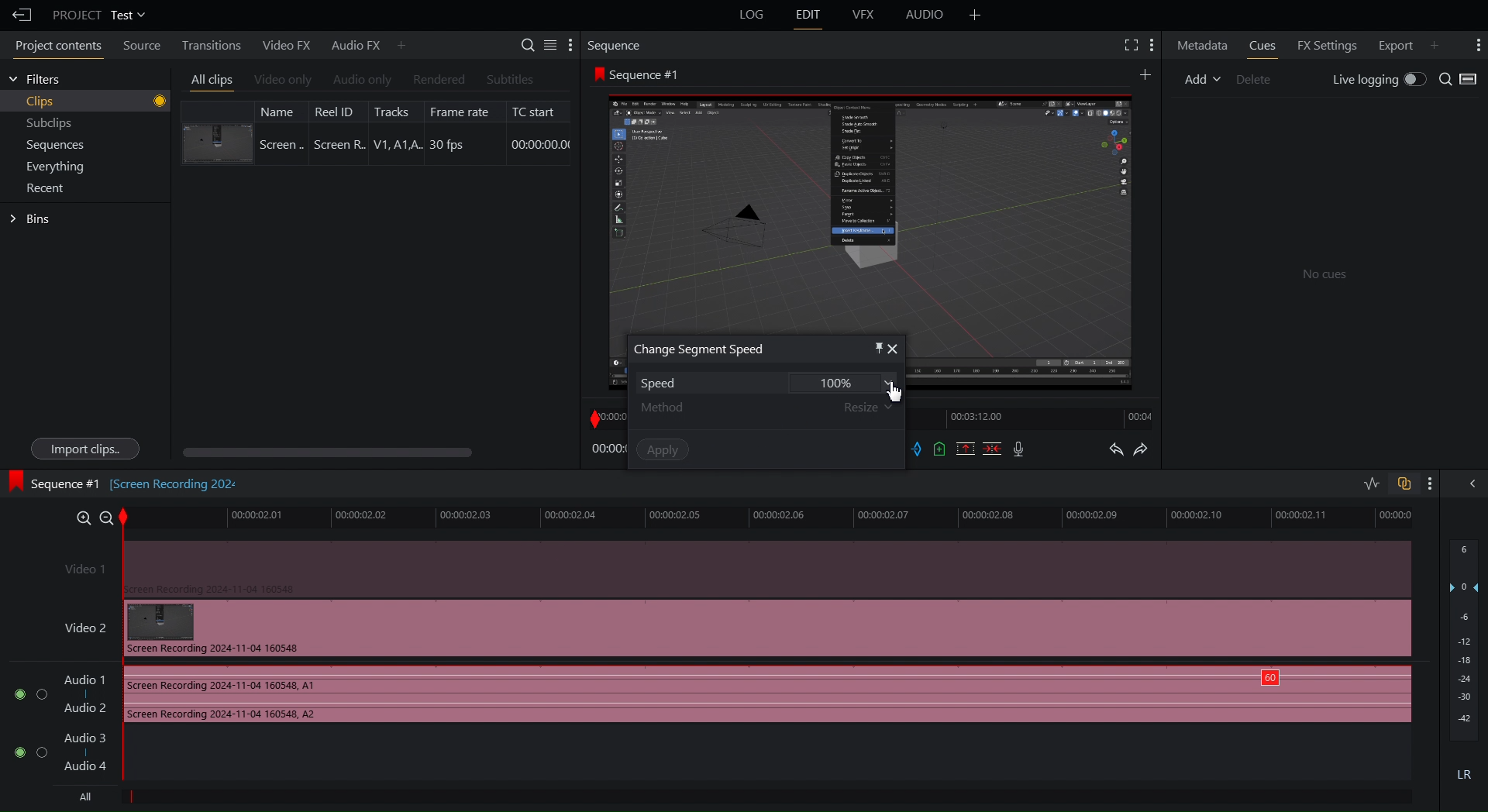  Describe the element at coordinates (98, 15) in the screenshot. I see `Project Test` at that location.